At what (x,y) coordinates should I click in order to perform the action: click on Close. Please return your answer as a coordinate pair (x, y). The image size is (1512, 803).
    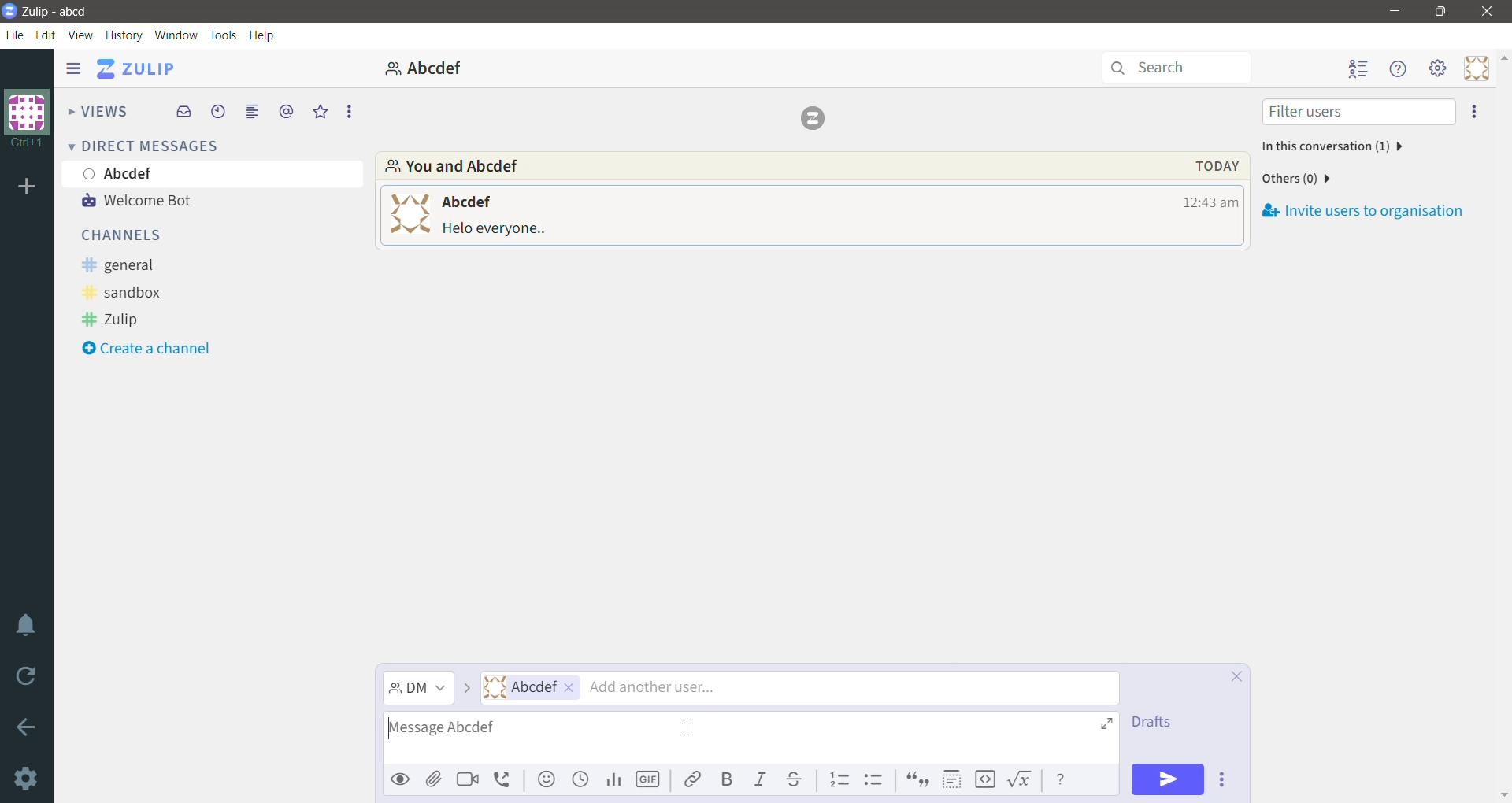
    Looking at the image, I should click on (1488, 12).